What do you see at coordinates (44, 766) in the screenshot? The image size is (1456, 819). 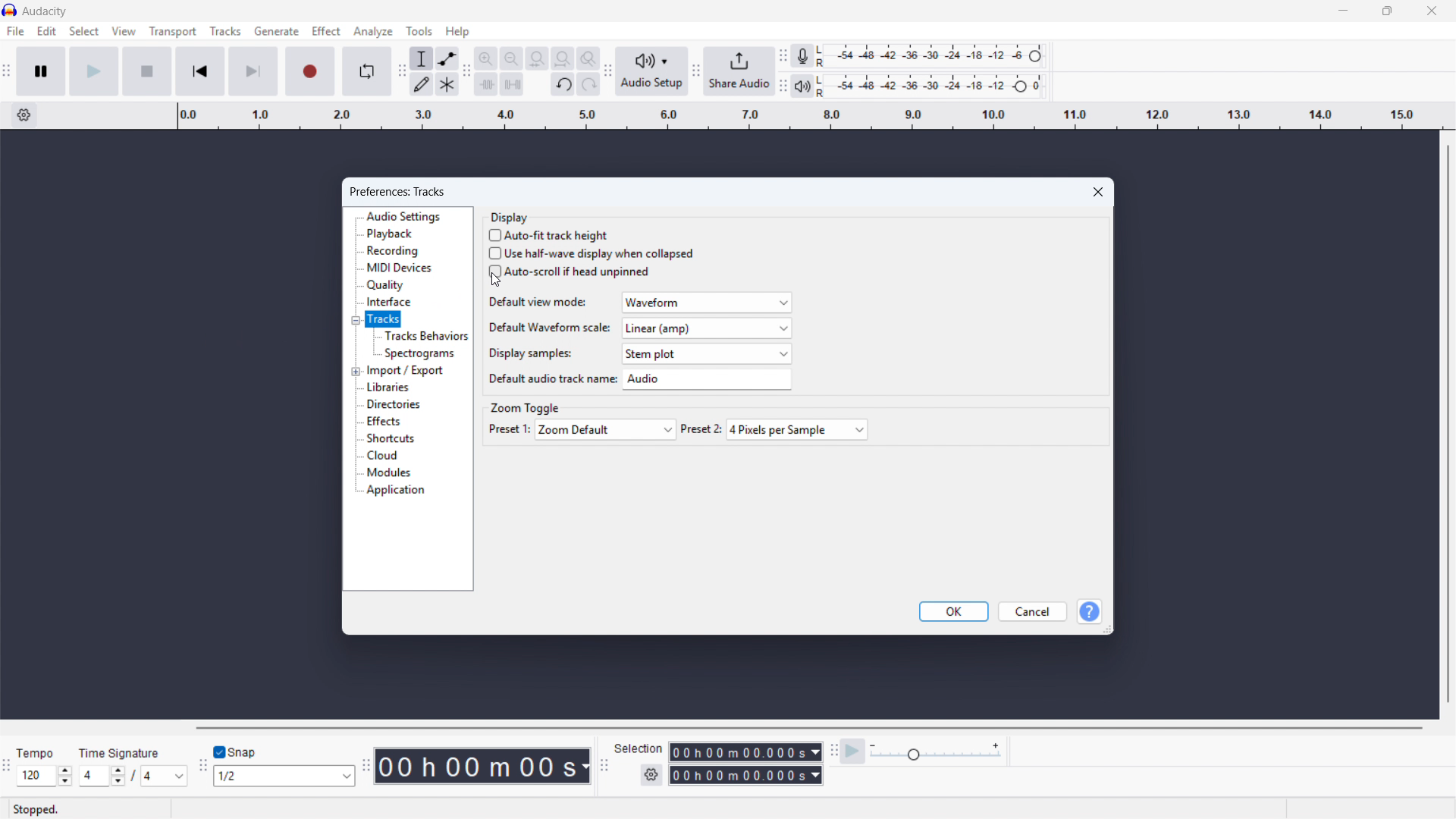 I see `set tempo` at bounding box center [44, 766].